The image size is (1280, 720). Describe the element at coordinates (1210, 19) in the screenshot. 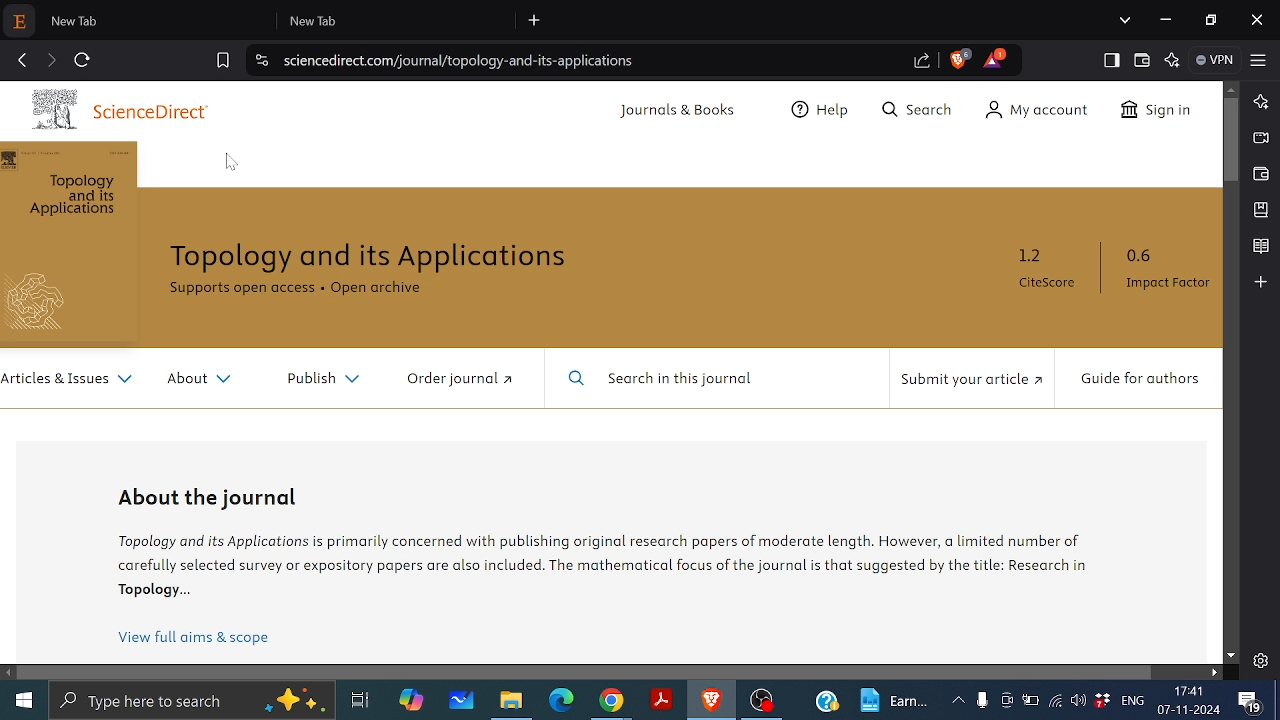

I see `Restore down` at that location.